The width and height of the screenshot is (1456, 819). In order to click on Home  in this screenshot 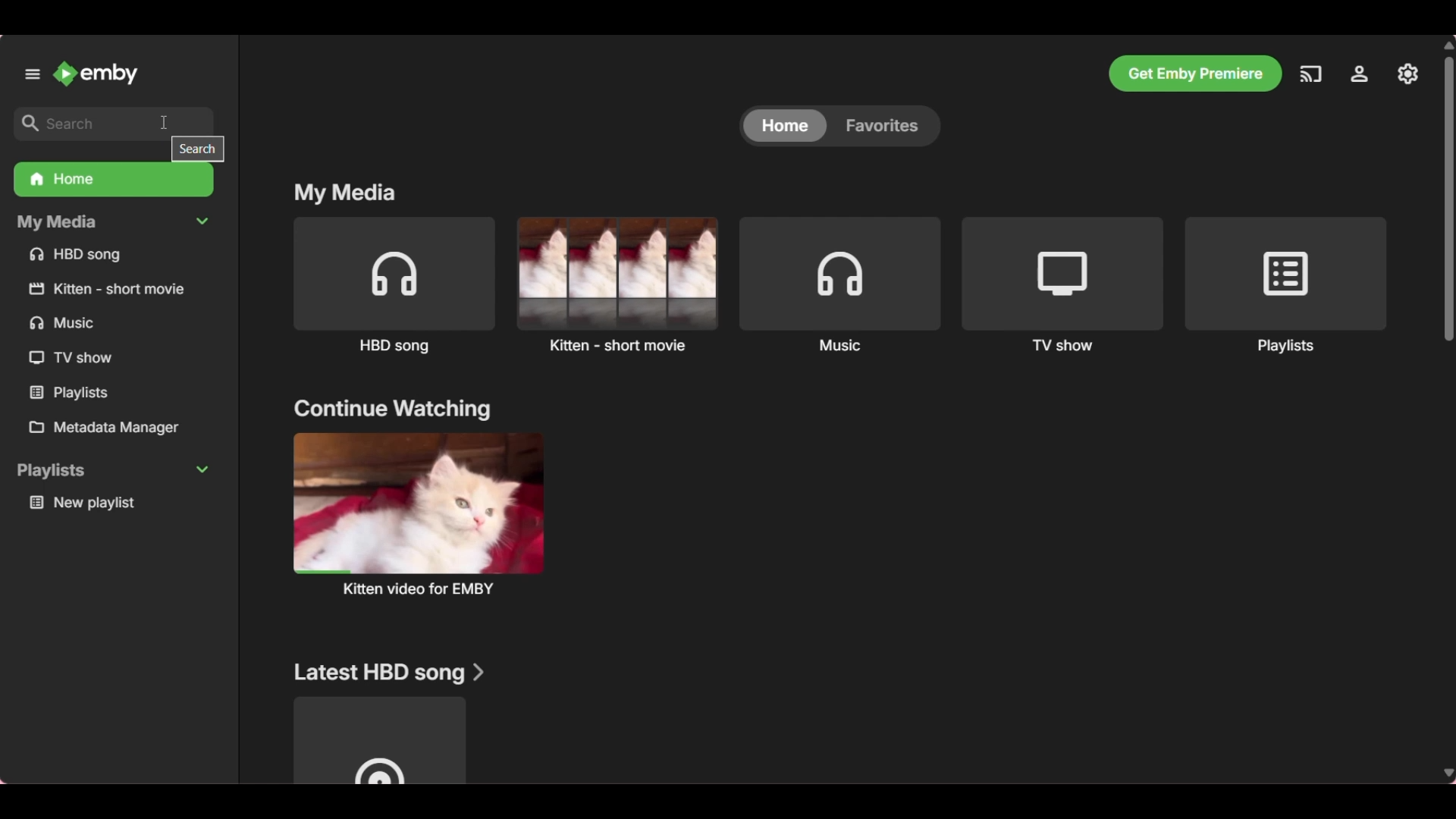, I will do `click(112, 180)`.